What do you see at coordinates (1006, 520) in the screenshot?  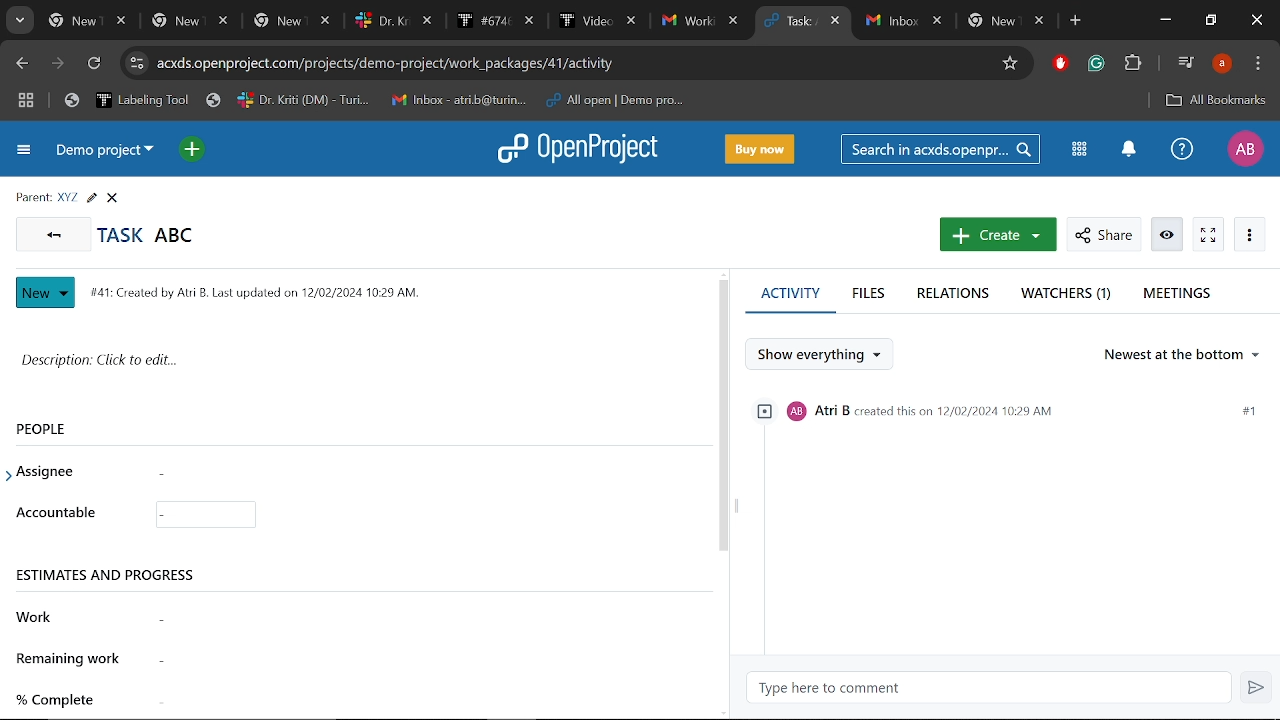 I see `Activity` at bounding box center [1006, 520].